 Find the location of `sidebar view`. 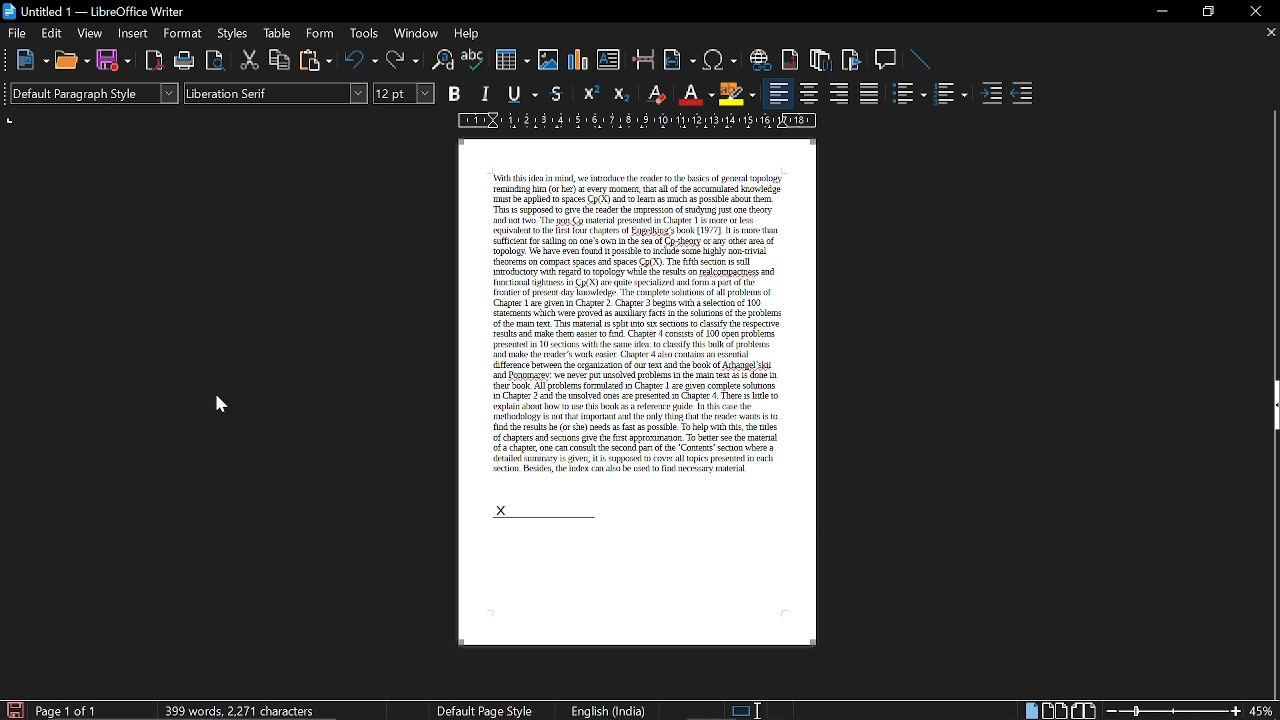

sidebar view is located at coordinates (1272, 407).